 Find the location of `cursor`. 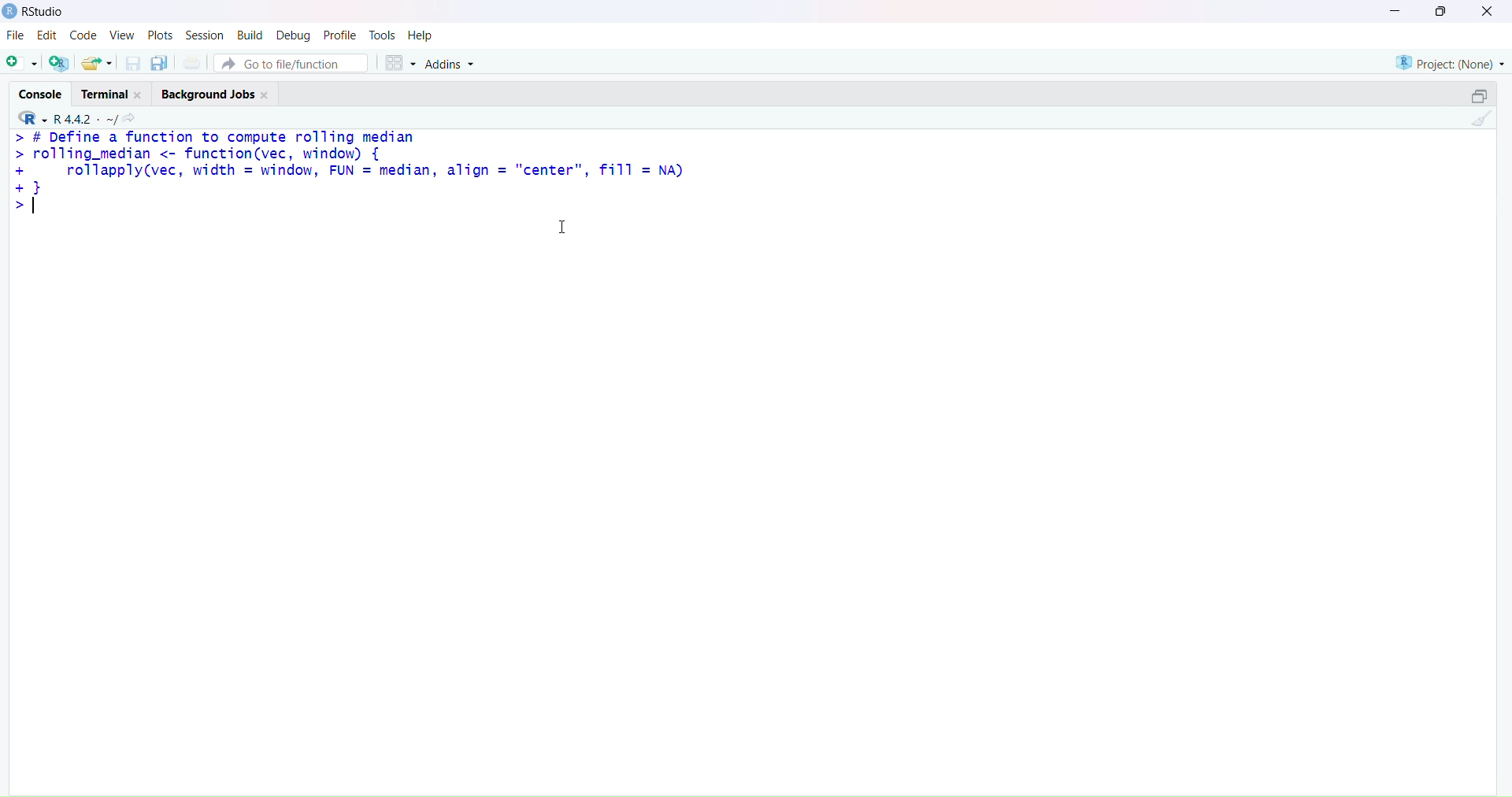

cursor is located at coordinates (564, 226).